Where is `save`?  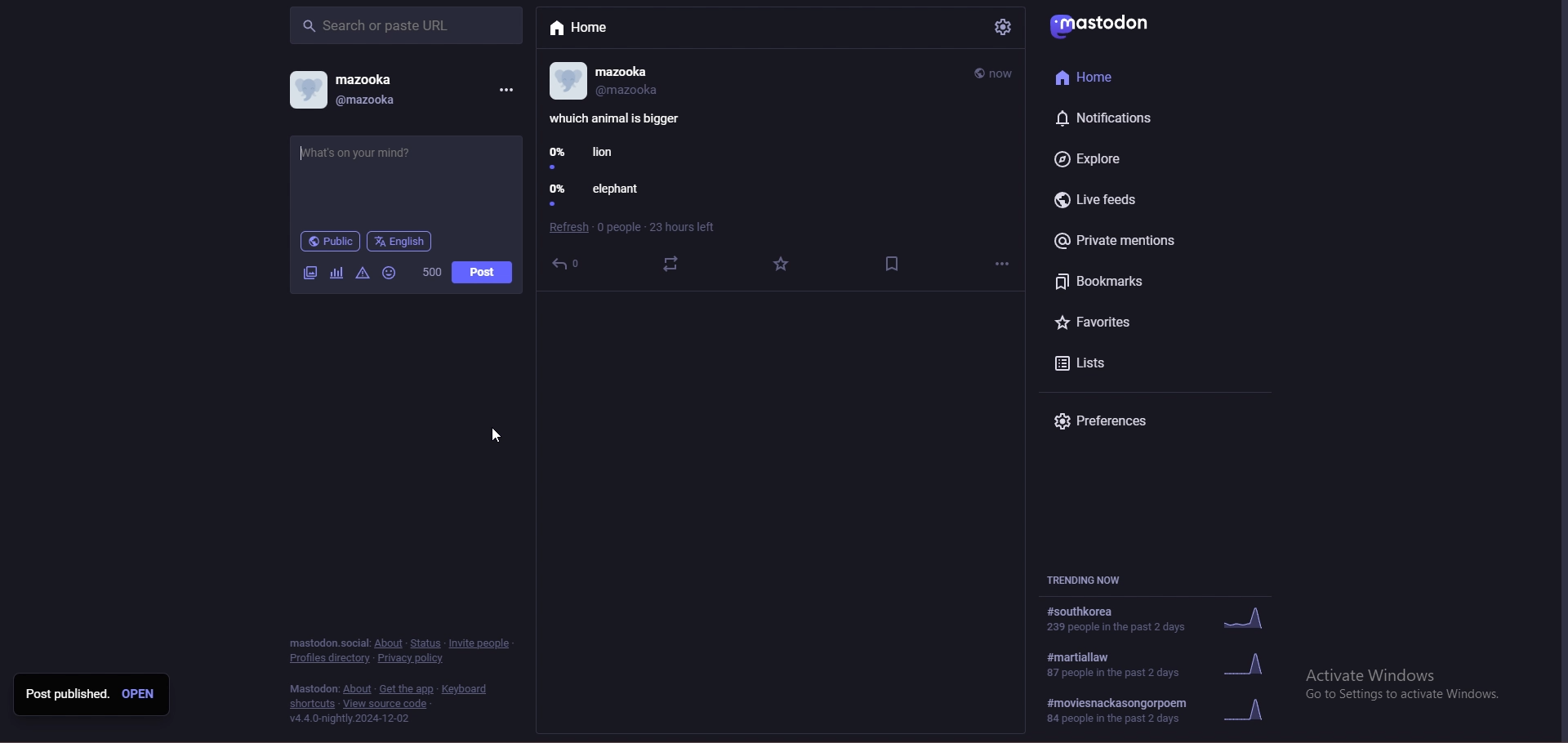
save is located at coordinates (893, 261).